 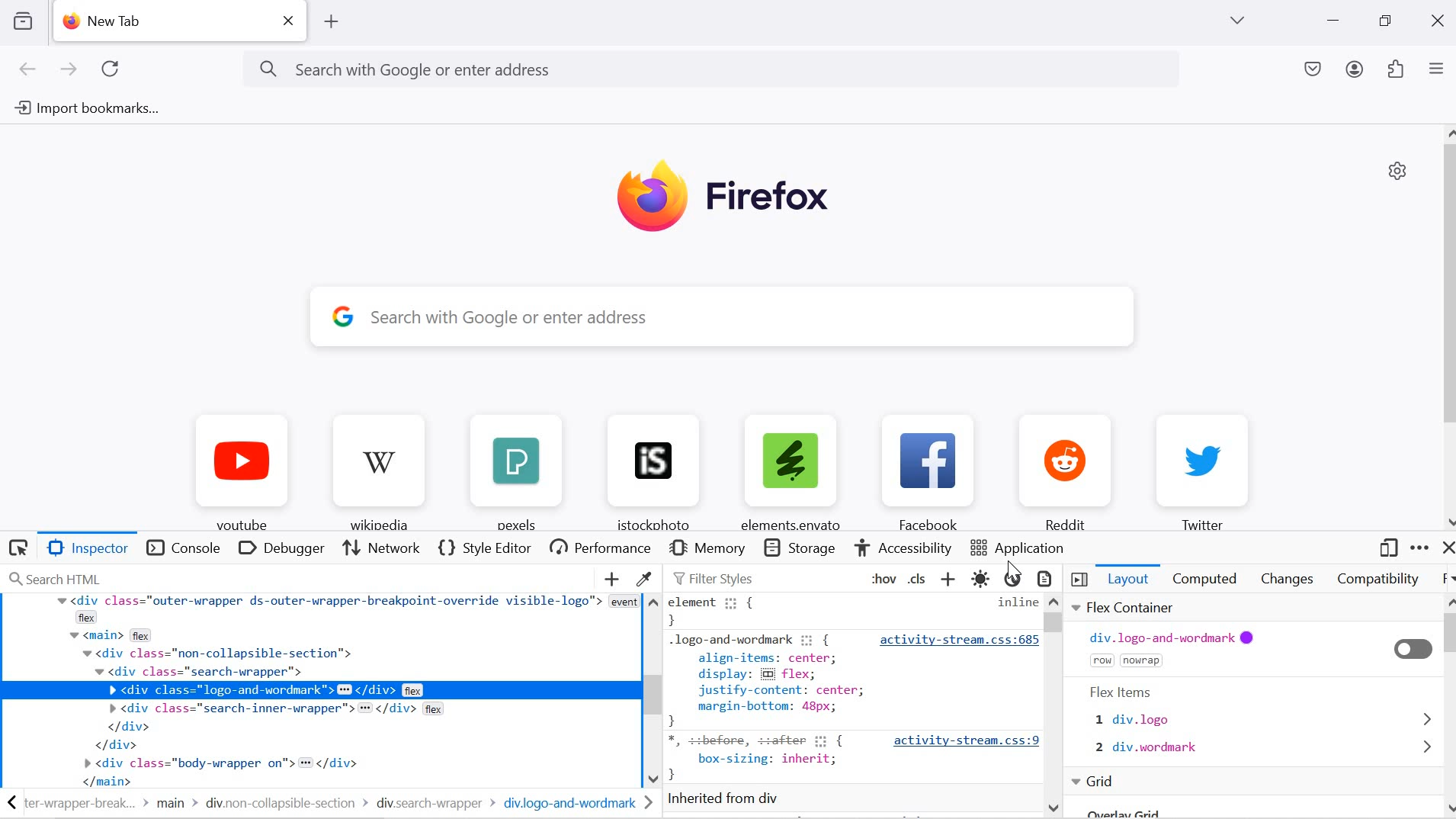 What do you see at coordinates (645, 579) in the screenshot?
I see `GRAB A COLOR FROM THE PAGE` at bounding box center [645, 579].